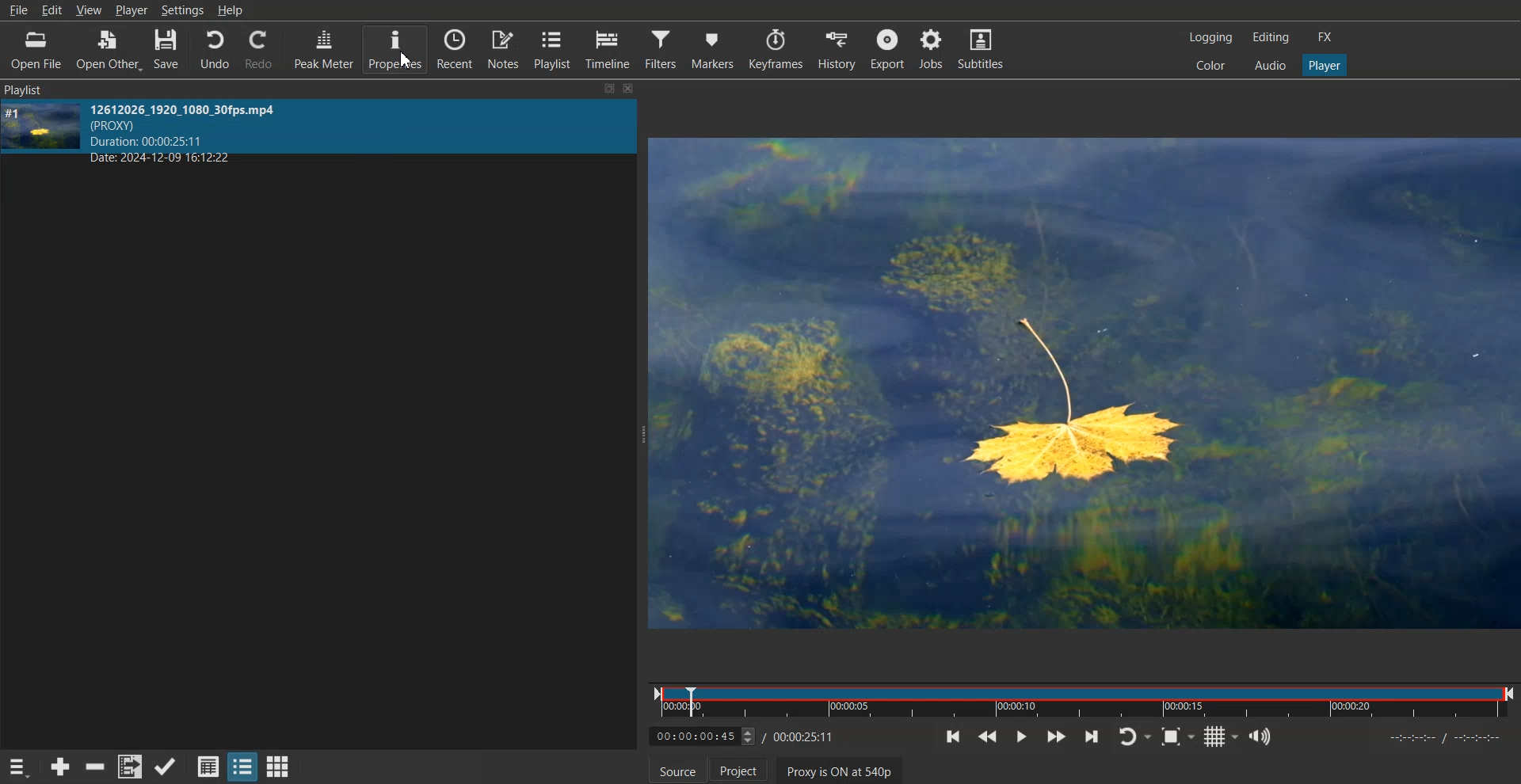 The height and width of the screenshot is (784, 1521). Describe the element at coordinates (90, 11) in the screenshot. I see `View` at that location.